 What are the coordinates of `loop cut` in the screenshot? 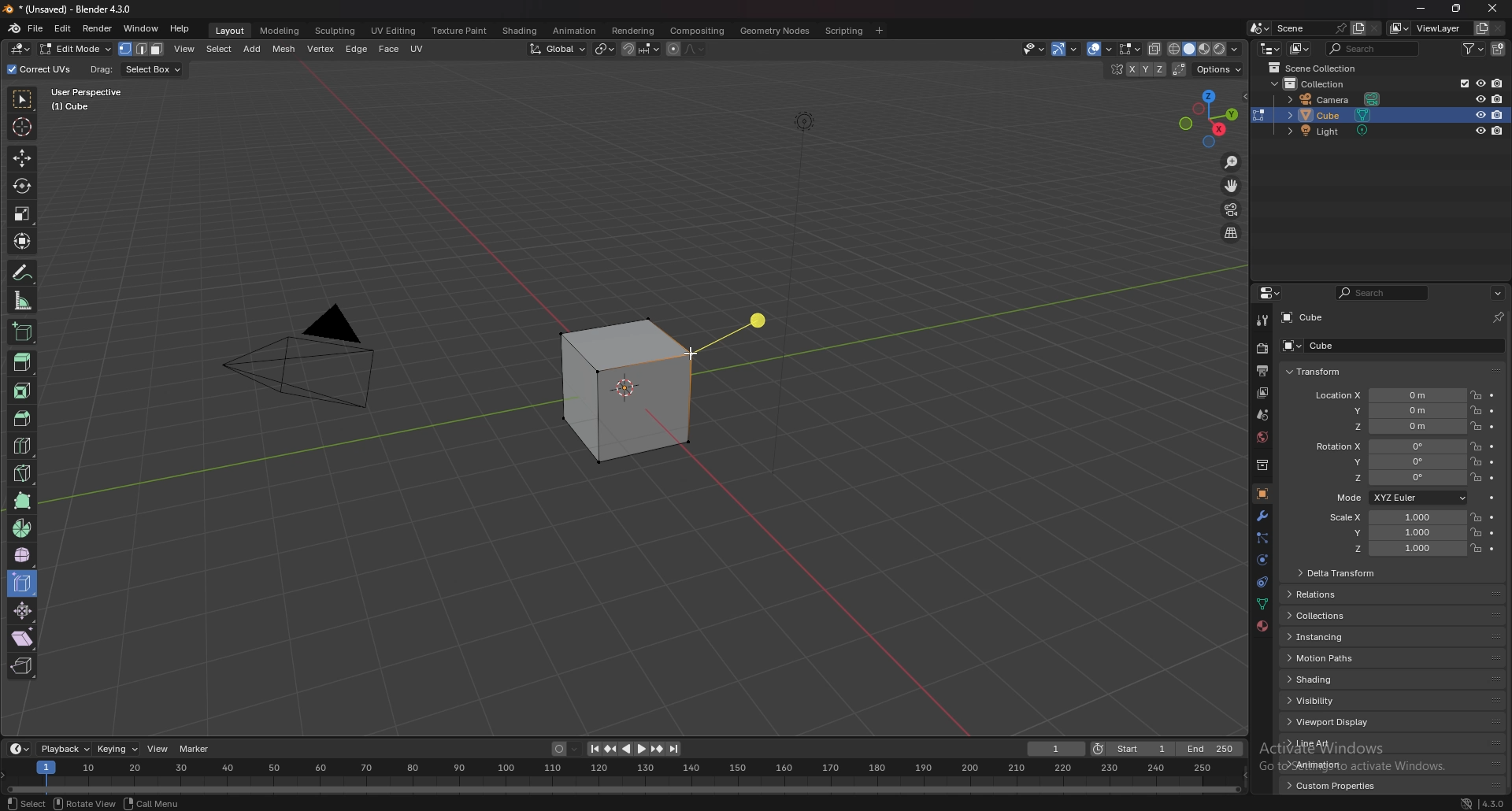 It's located at (22, 446).